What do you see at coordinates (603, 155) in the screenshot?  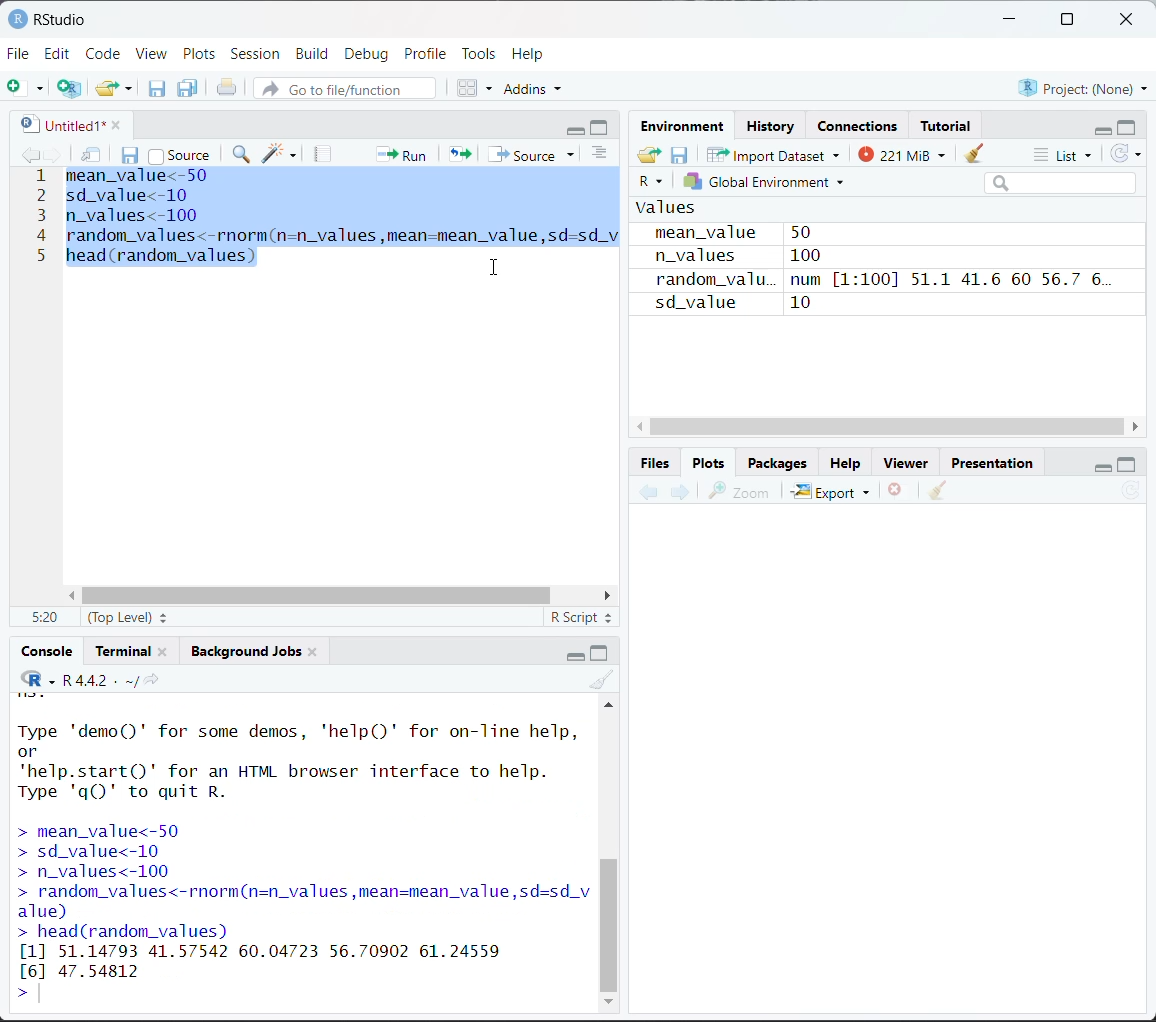 I see `show document outline` at bounding box center [603, 155].